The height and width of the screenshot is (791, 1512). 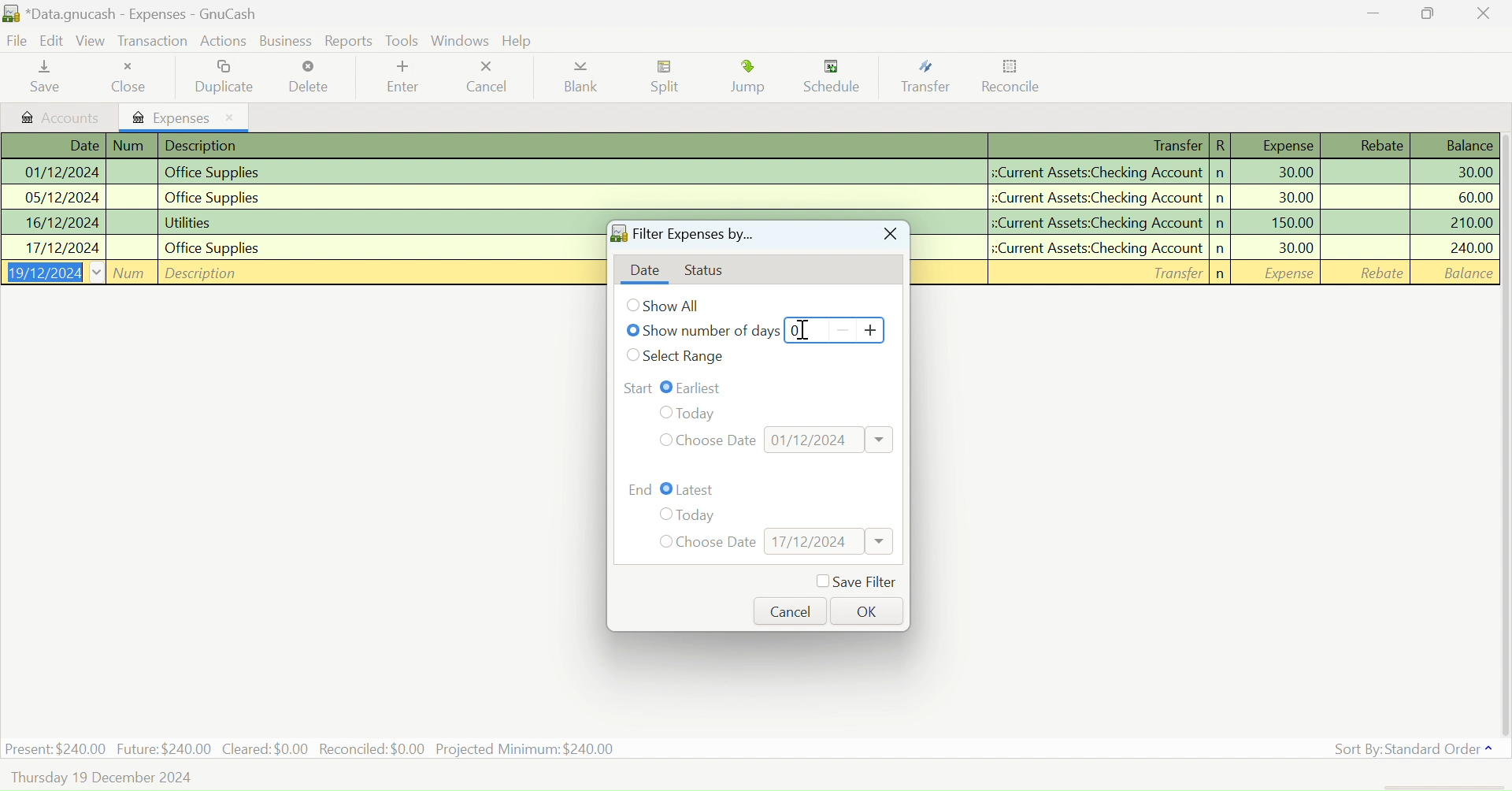 What do you see at coordinates (301, 223) in the screenshot?
I see `Utilities Transaction` at bounding box center [301, 223].